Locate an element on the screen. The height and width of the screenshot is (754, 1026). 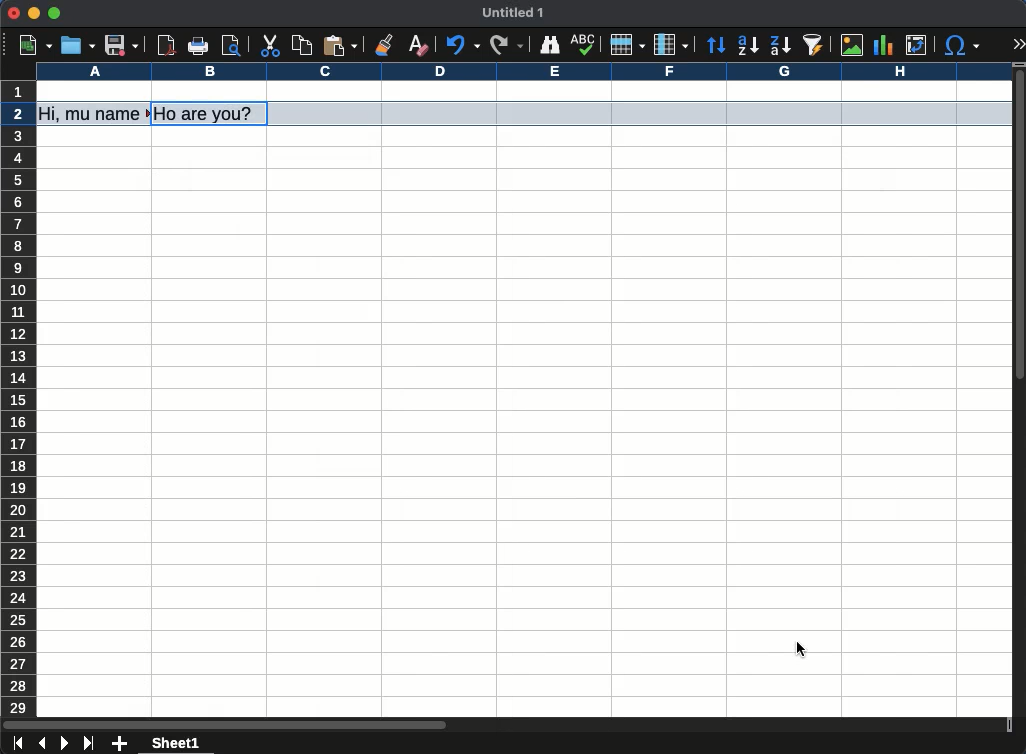
next sheet is located at coordinates (65, 743).